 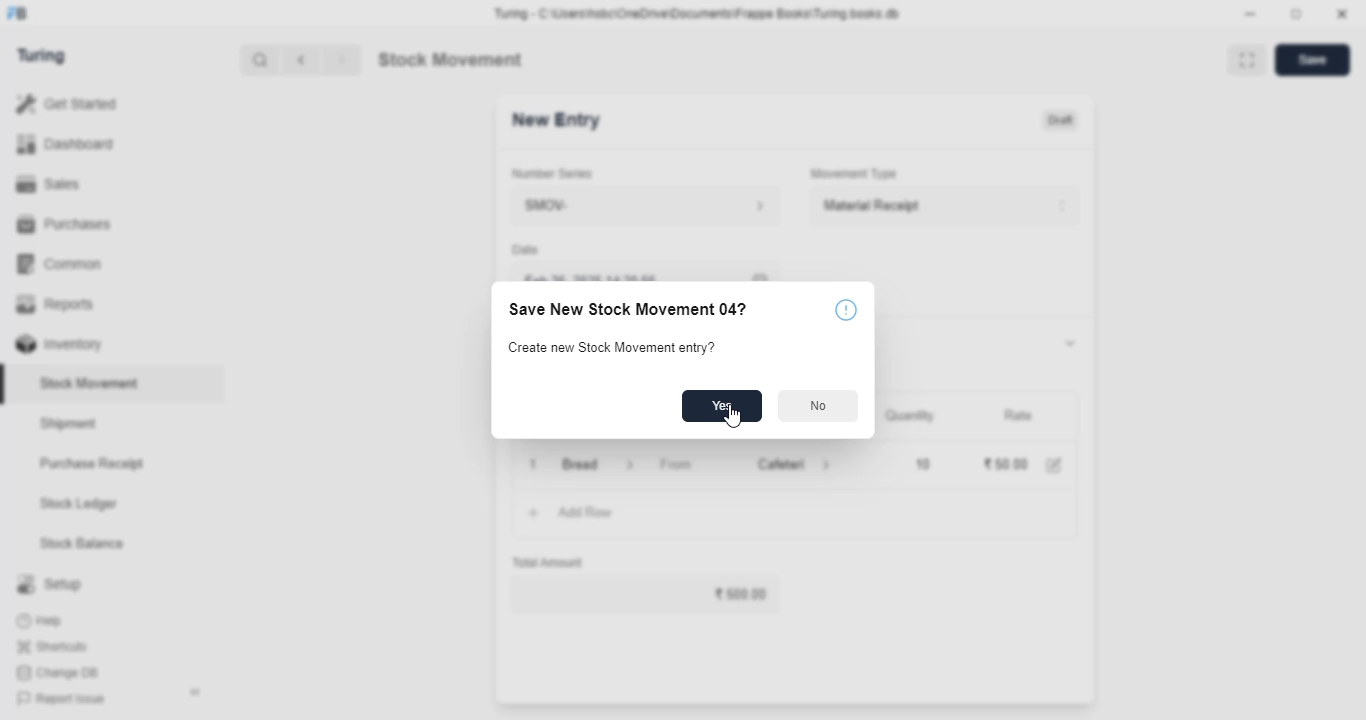 What do you see at coordinates (676, 464) in the screenshot?
I see `from` at bounding box center [676, 464].